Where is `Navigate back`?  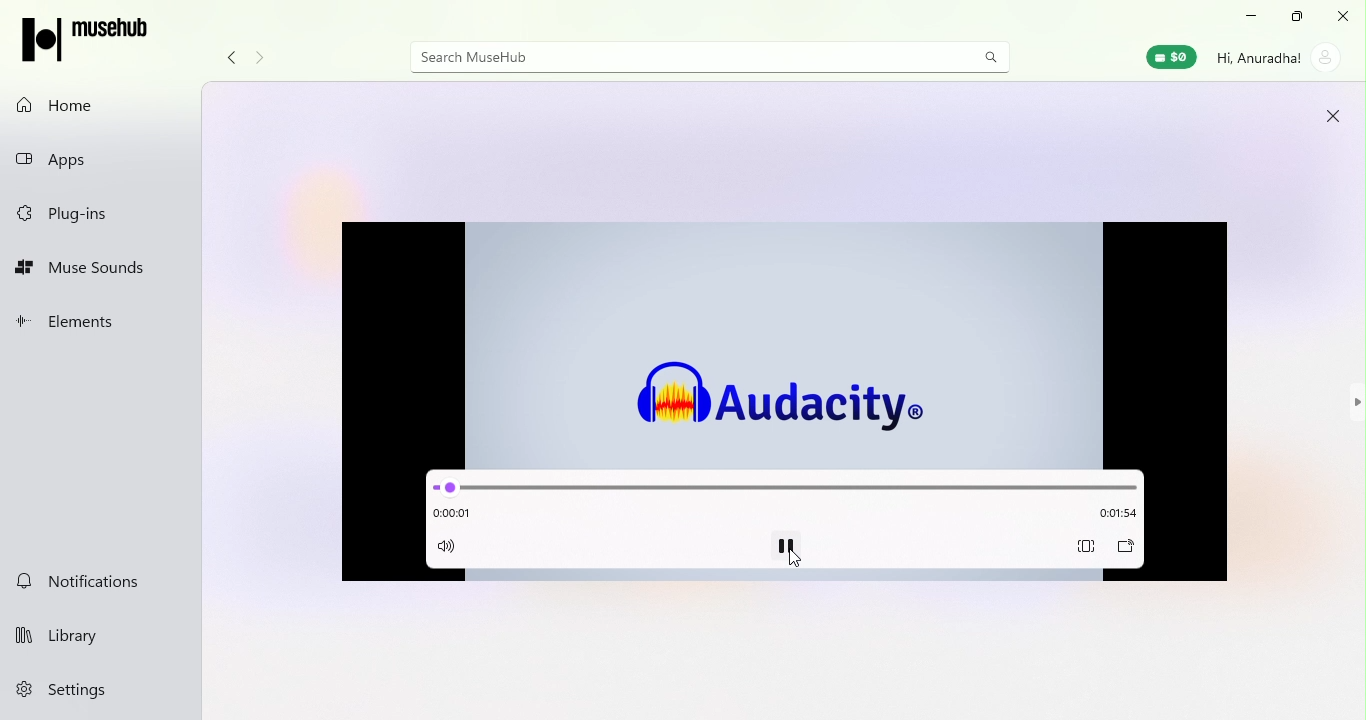
Navigate back is located at coordinates (233, 57).